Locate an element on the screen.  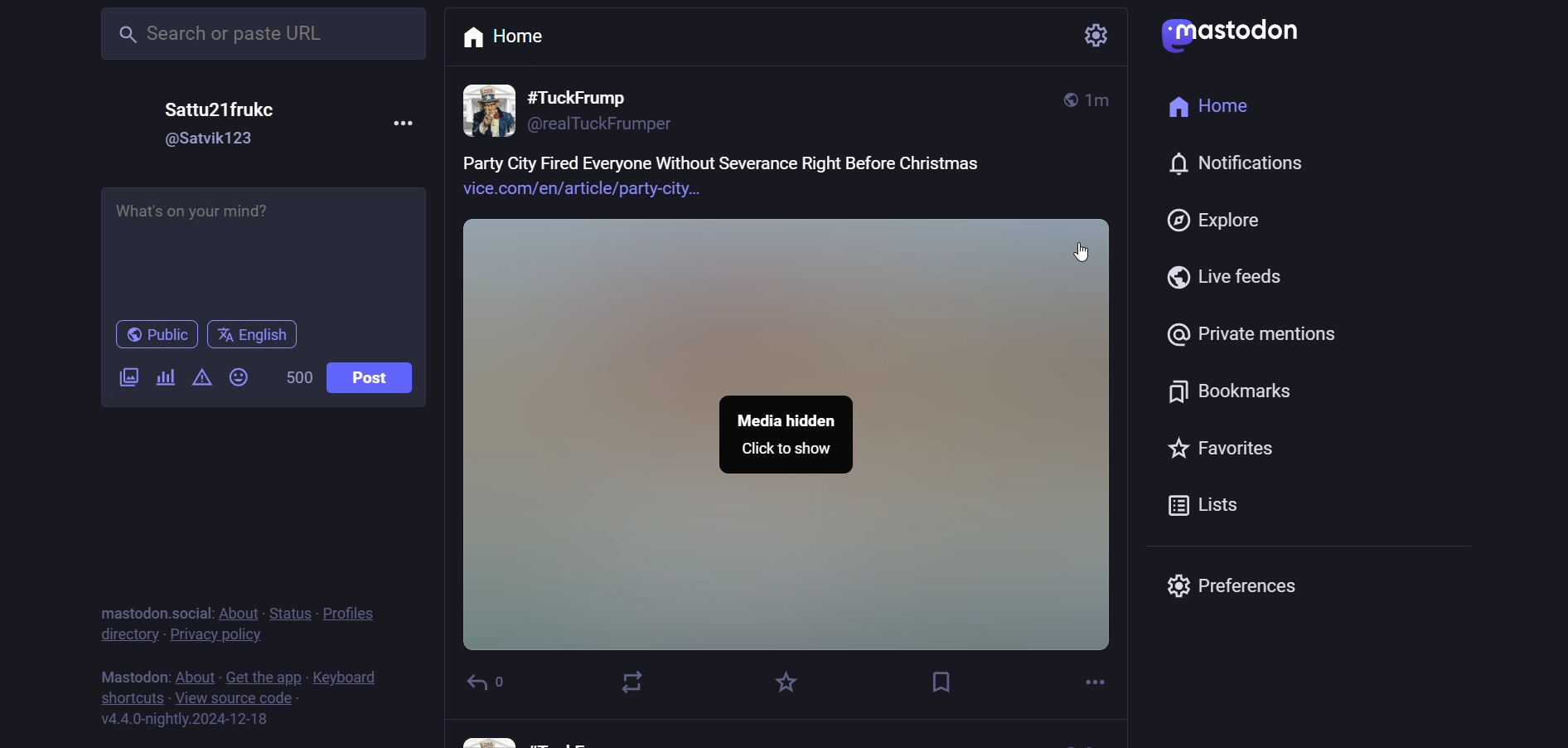
notification is located at coordinates (1252, 170).